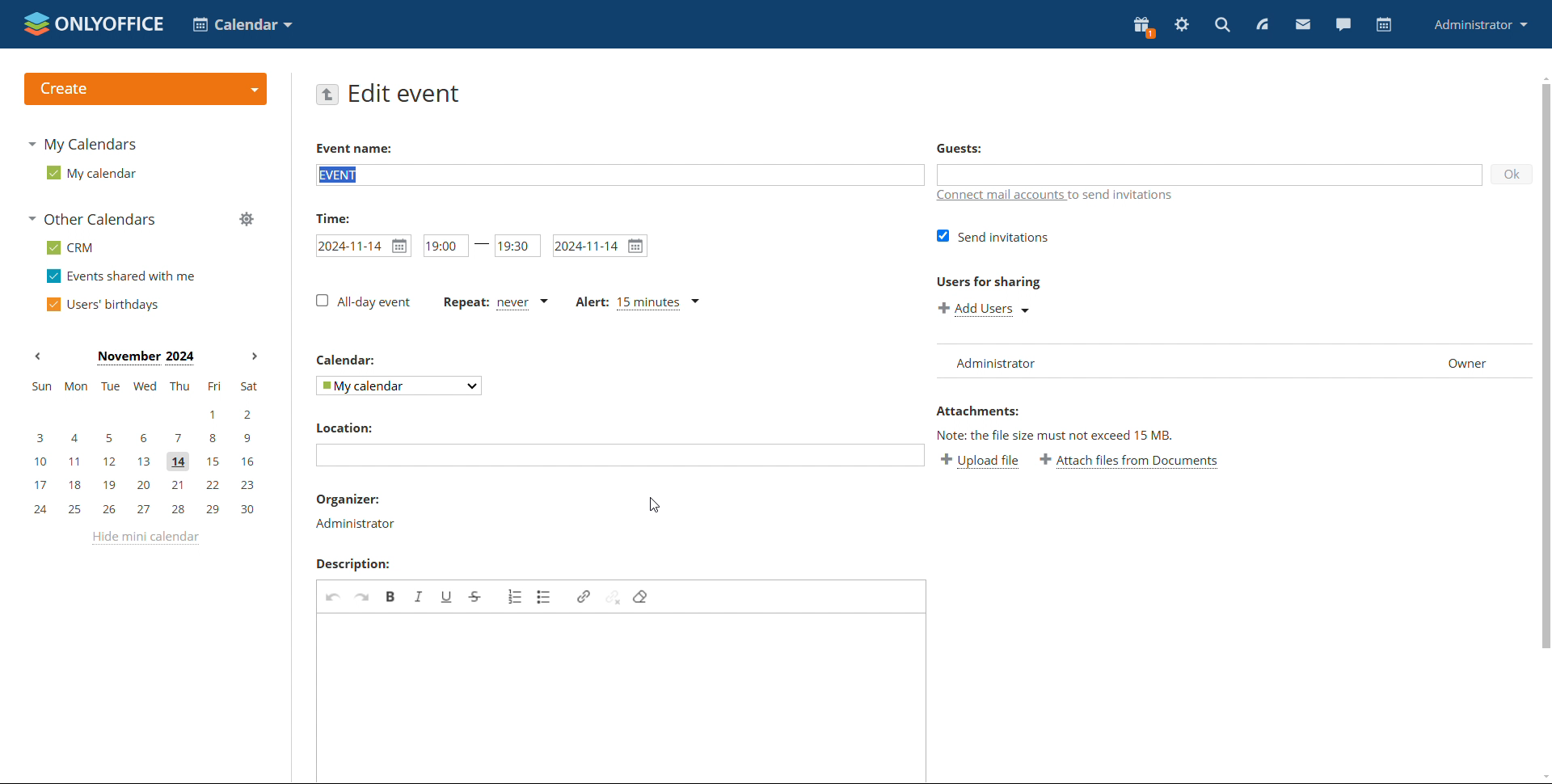  What do you see at coordinates (658, 507) in the screenshot?
I see `cursor` at bounding box center [658, 507].